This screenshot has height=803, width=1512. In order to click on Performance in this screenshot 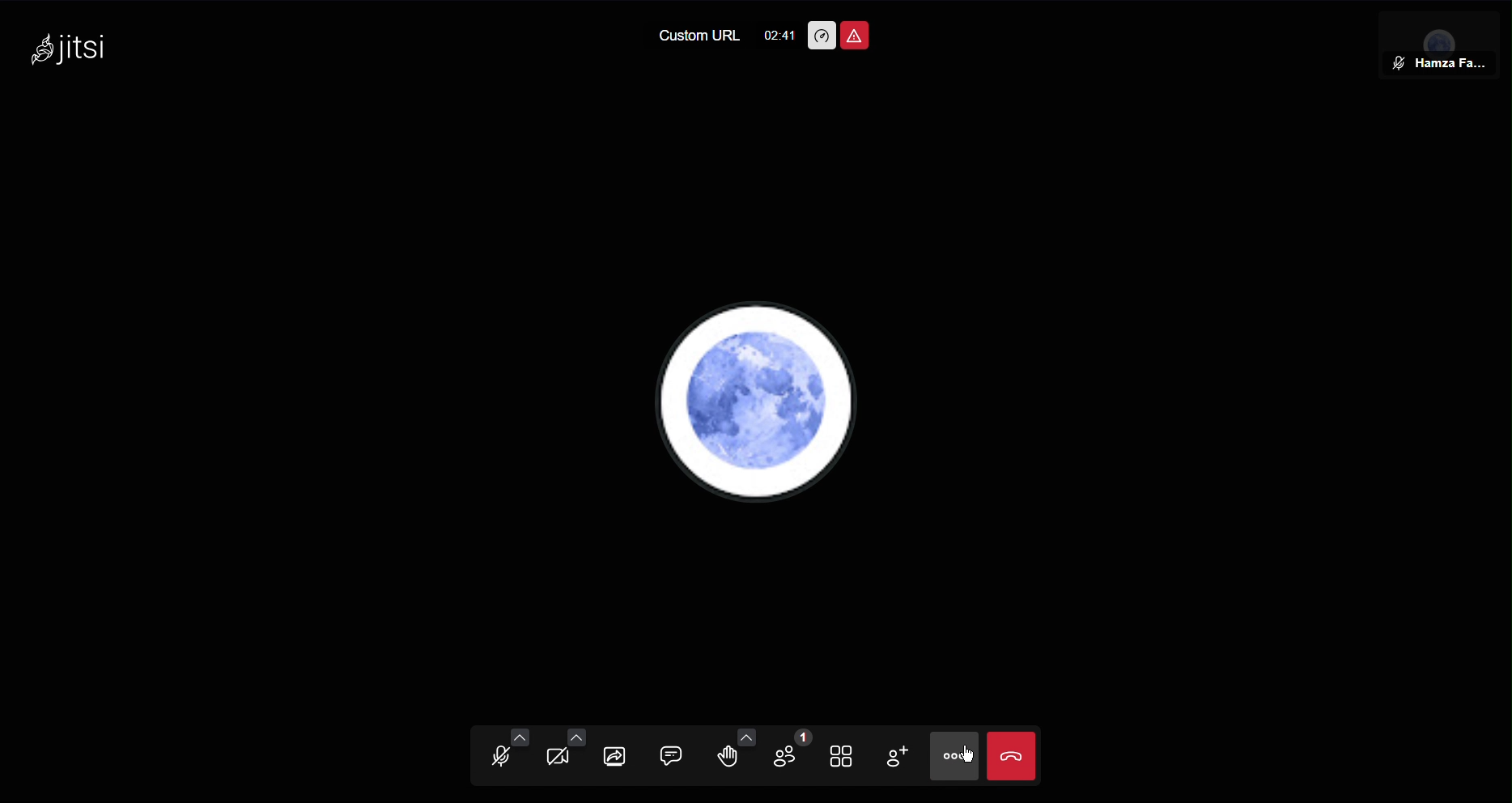, I will do `click(820, 36)`.